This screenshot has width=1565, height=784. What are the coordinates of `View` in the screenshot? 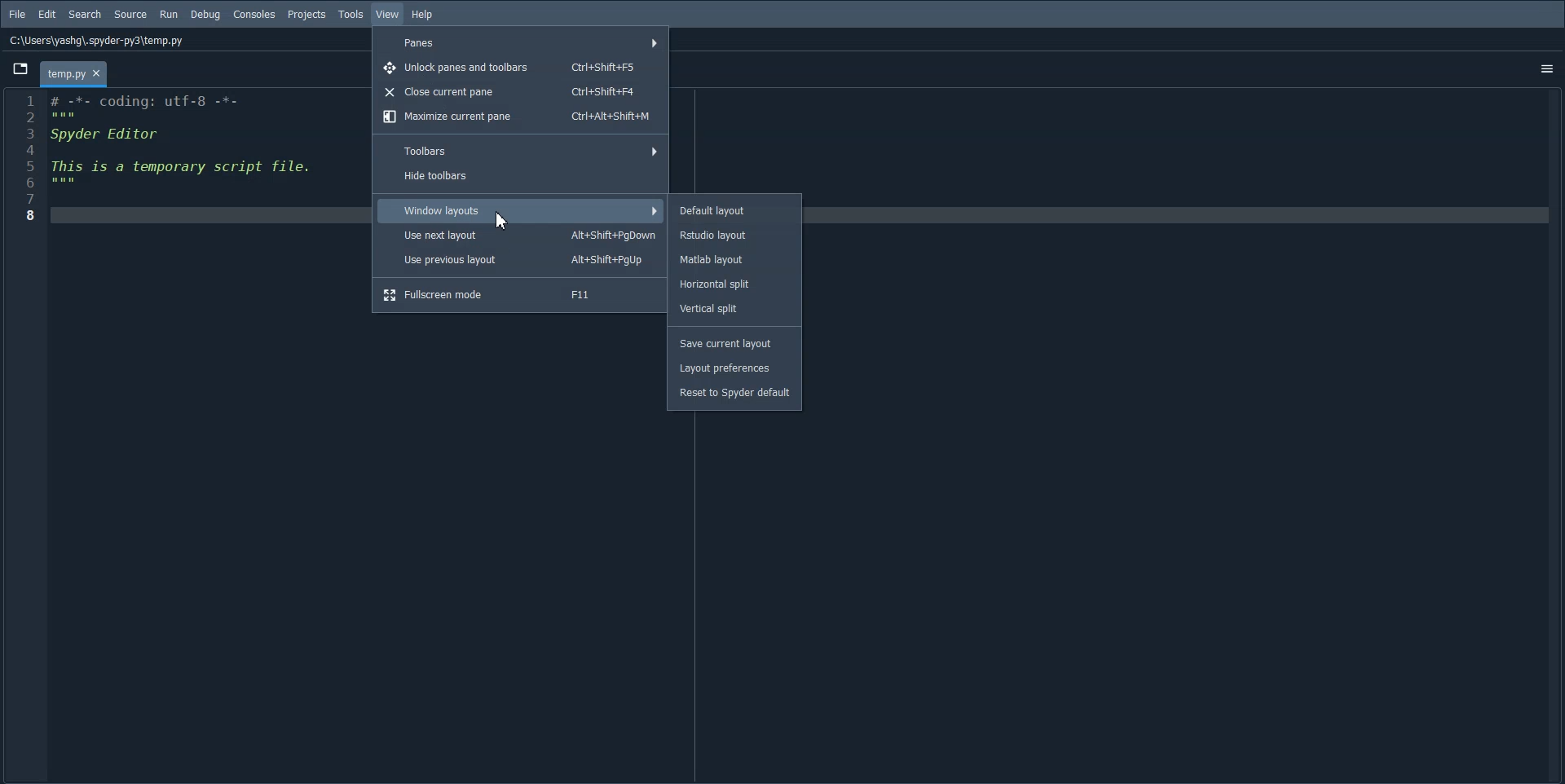 It's located at (388, 15).